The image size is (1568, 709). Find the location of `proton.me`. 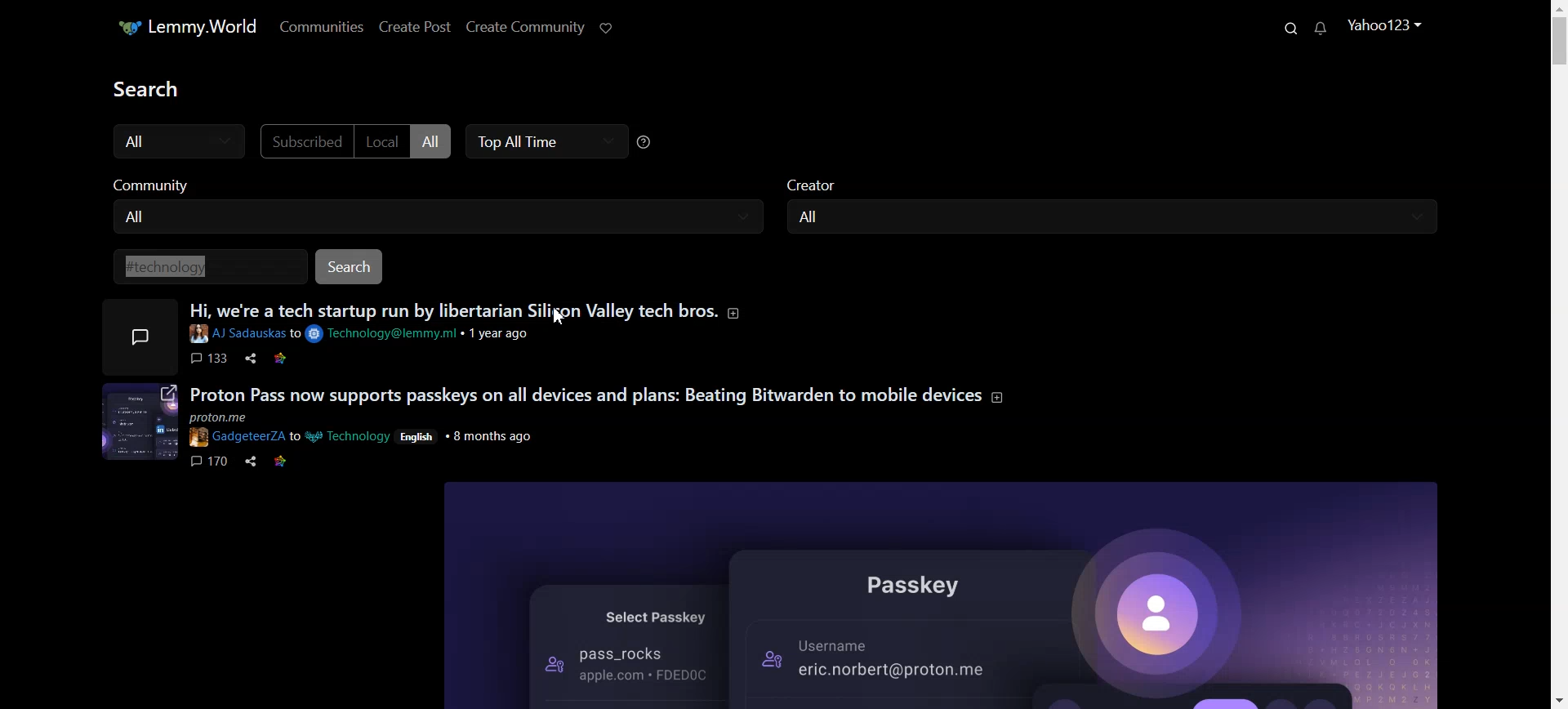

proton.me is located at coordinates (231, 418).